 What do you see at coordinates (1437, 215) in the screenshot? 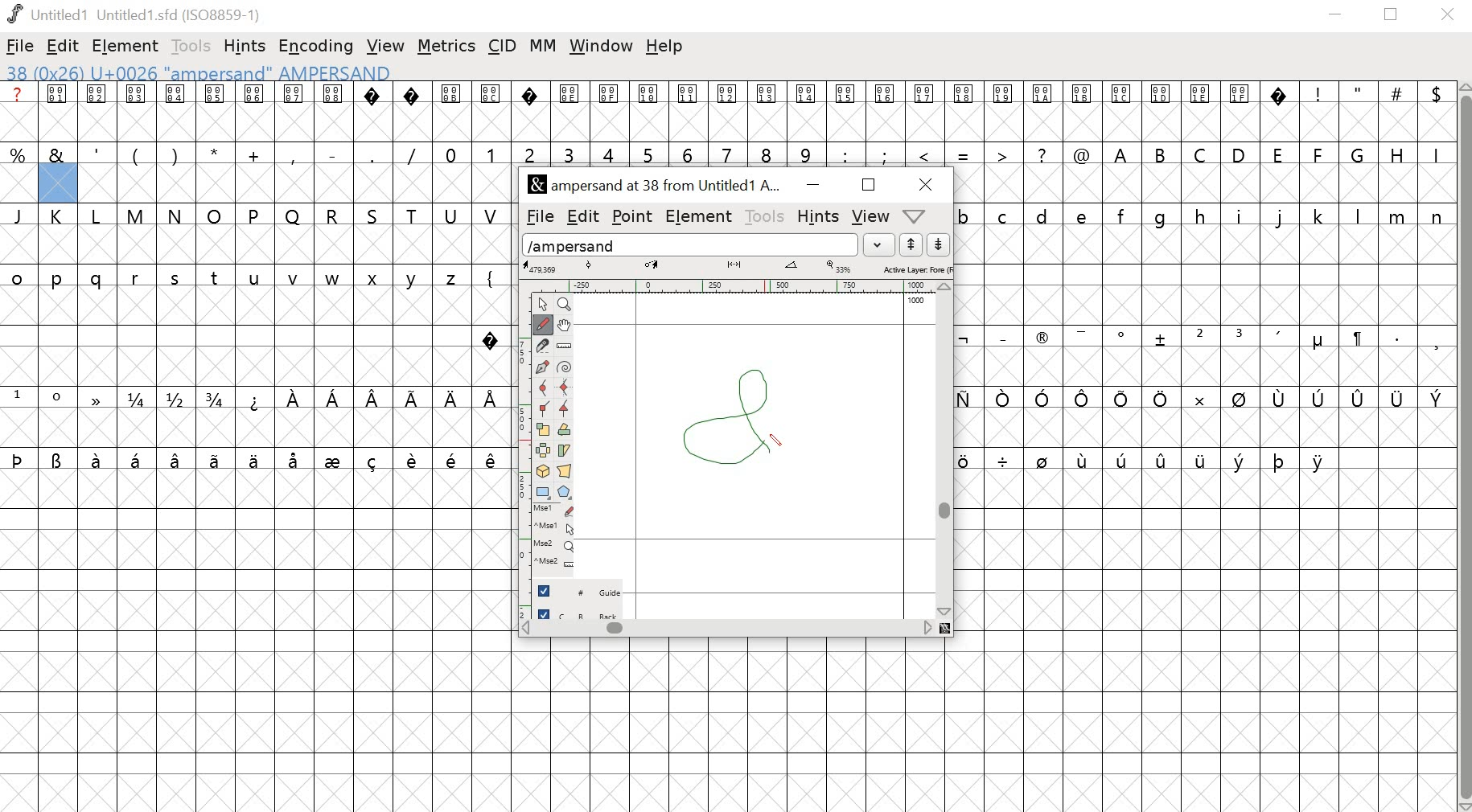
I see `n` at bounding box center [1437, 215].